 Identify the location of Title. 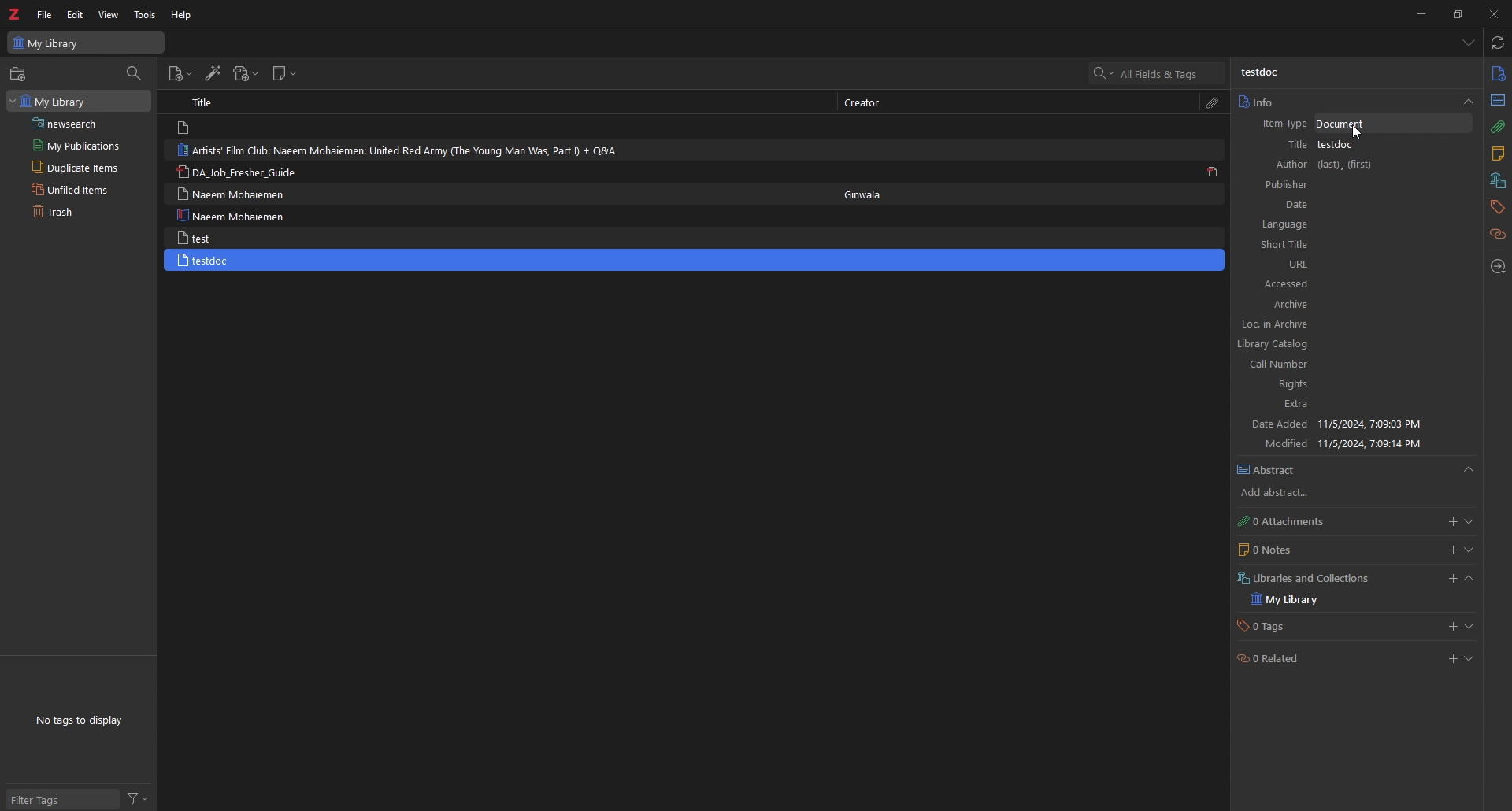
(203, 102).